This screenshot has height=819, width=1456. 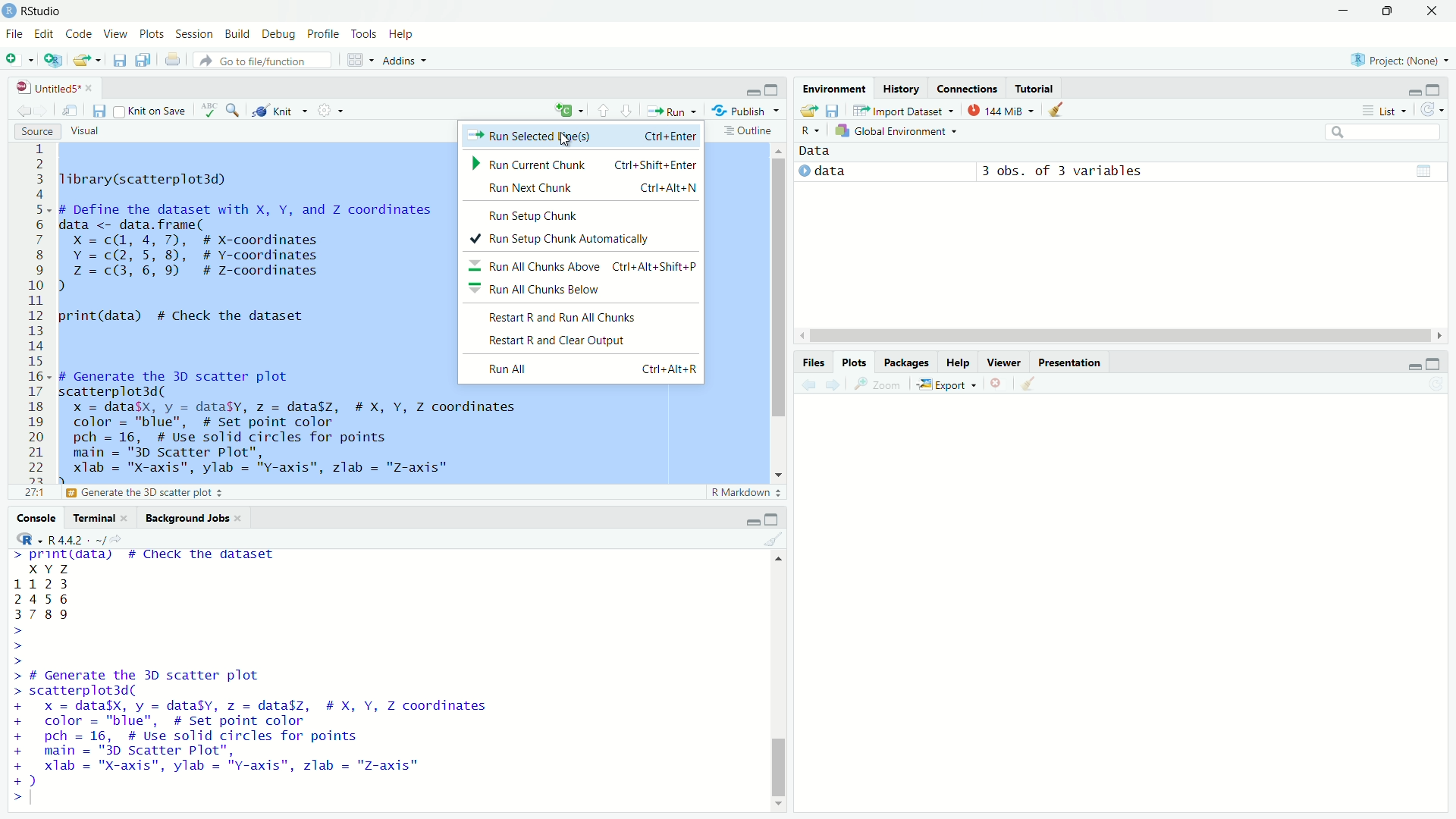 I want to click on viewer, so click(x=1003, y=362).